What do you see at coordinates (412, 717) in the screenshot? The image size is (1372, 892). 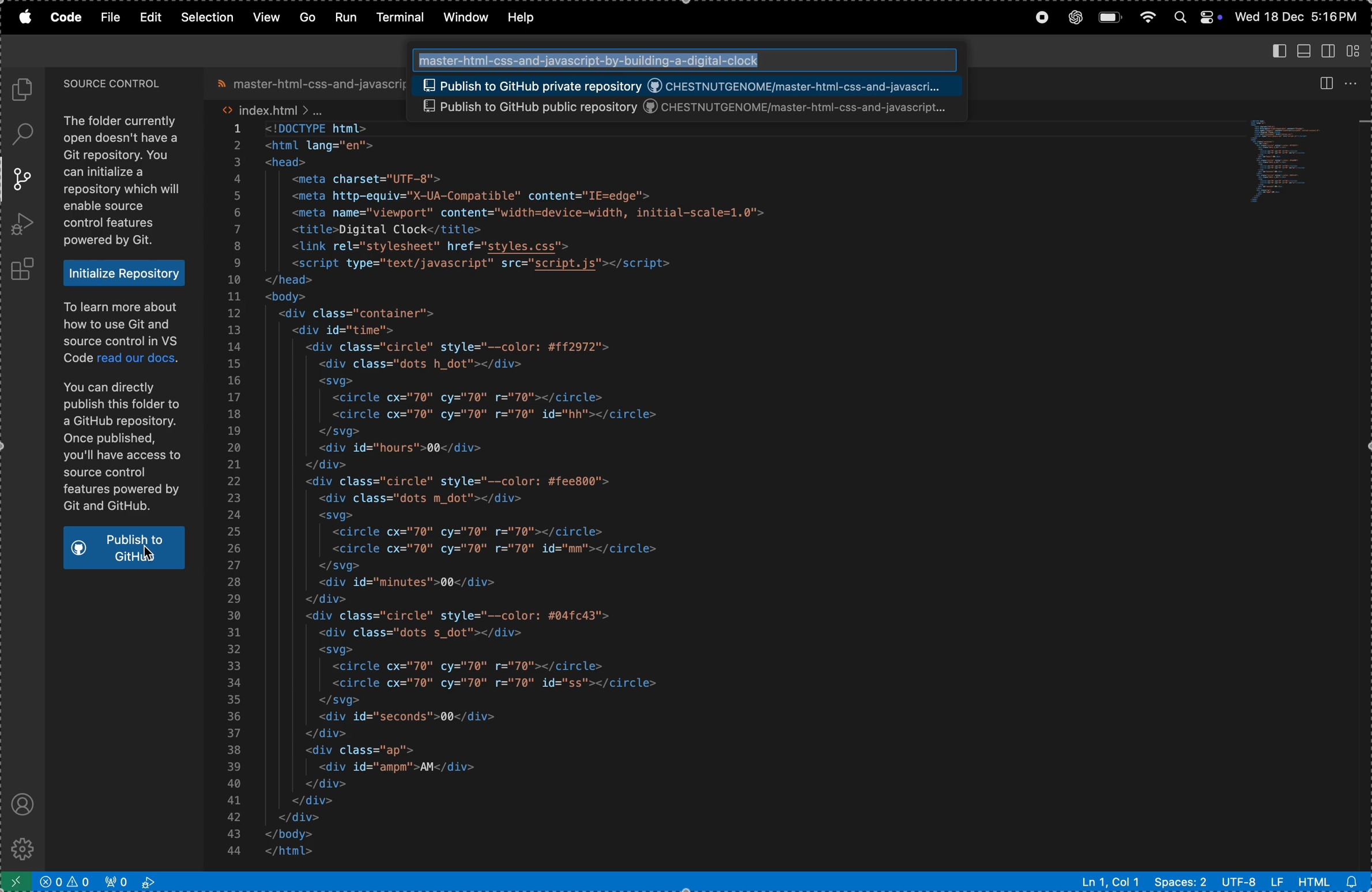 I see `<div id="seconds">00</div>` at bounding box center [412, 717].